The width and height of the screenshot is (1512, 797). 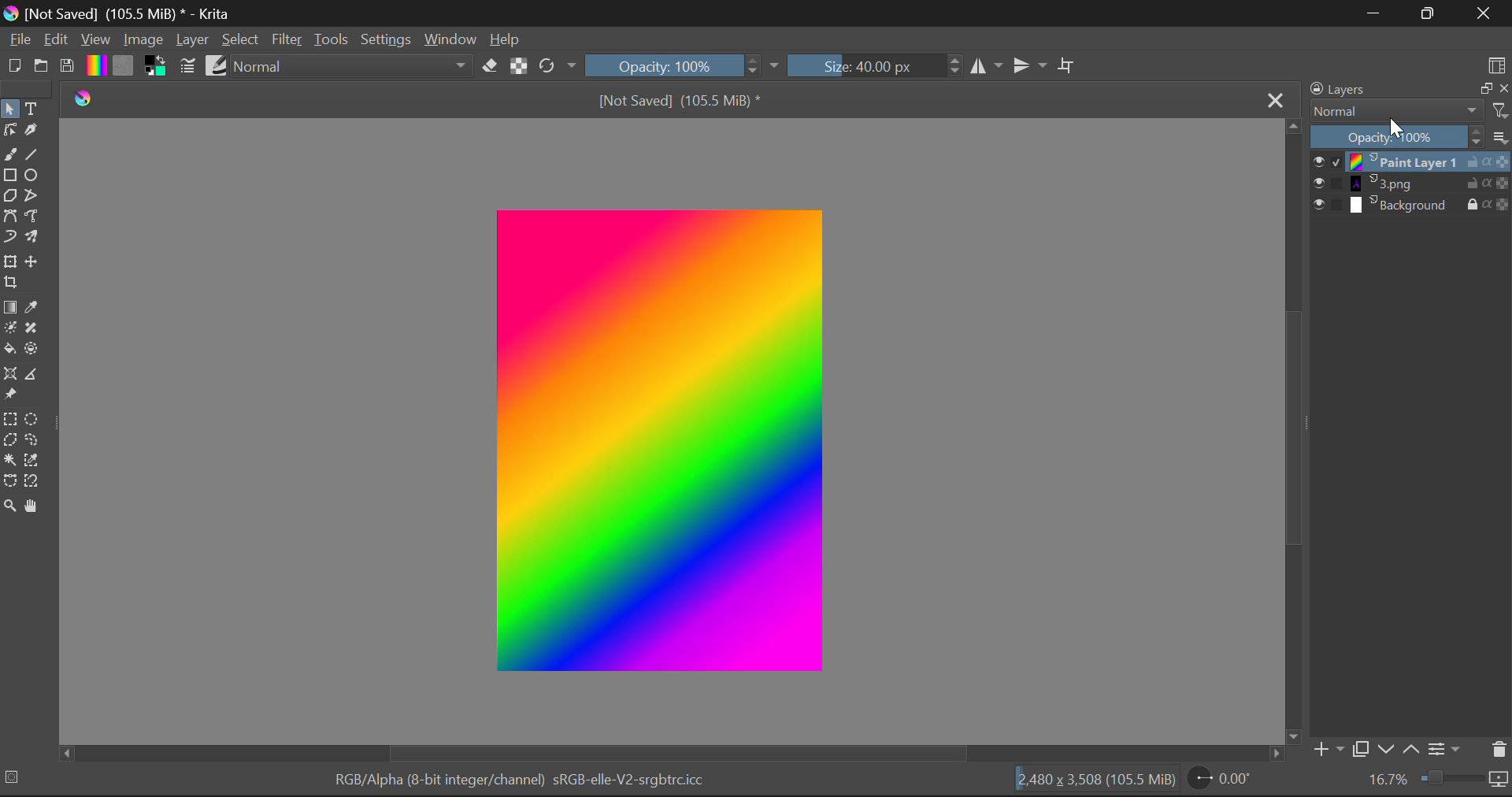 I want to click on Filter, so click(x=290, y=39).